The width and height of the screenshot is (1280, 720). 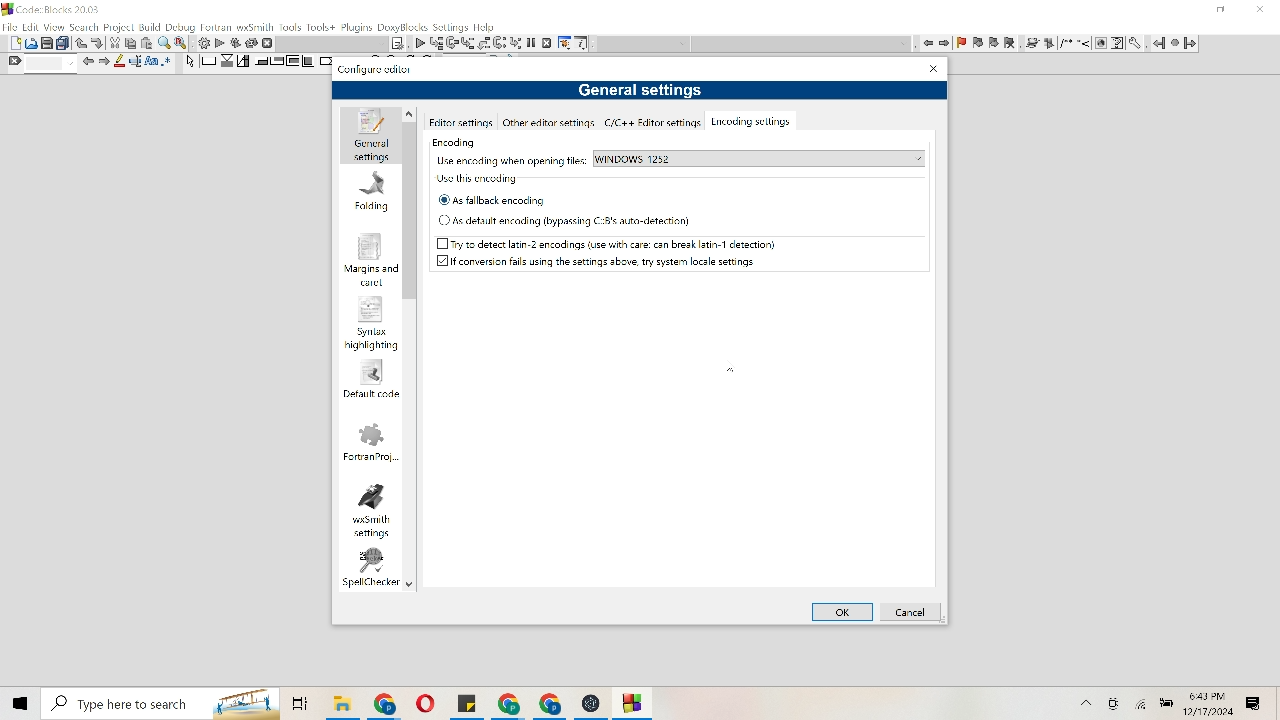 I want to click on As fallback encoding, so click(x=492, y=200).